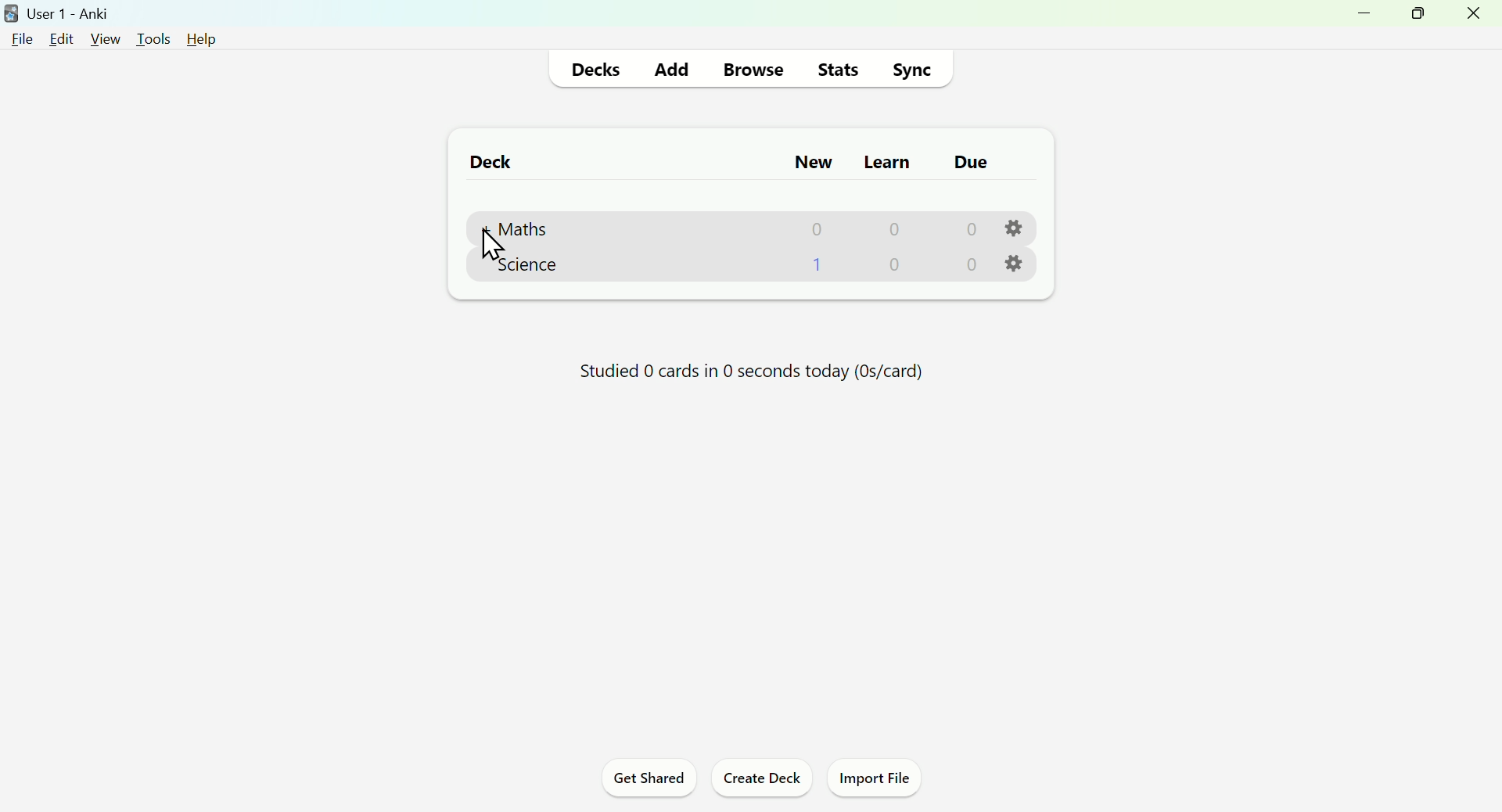  I want to click on Tools, so click(148, 35).